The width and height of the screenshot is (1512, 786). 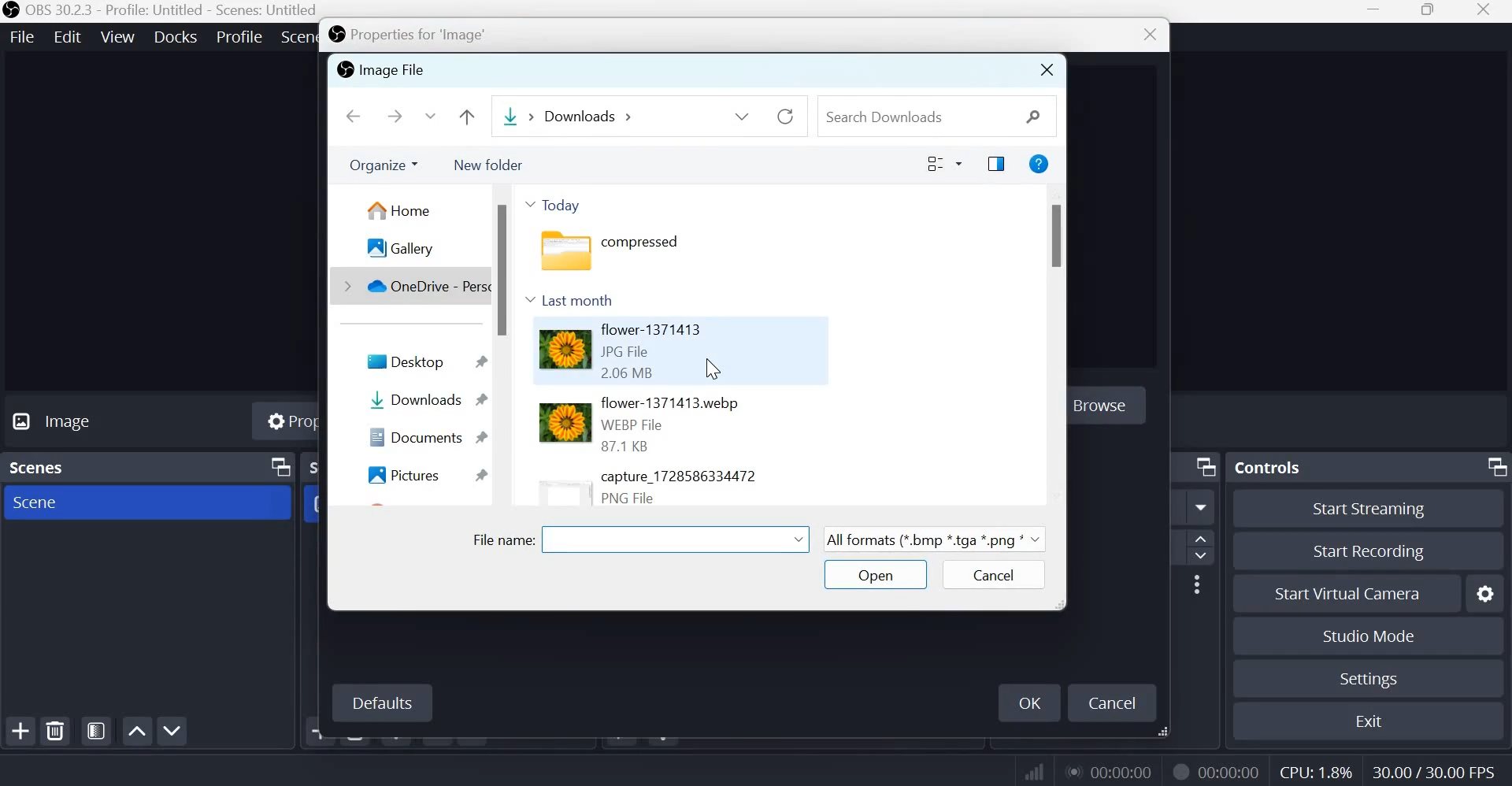 I want to click on Downloads, so click(x=513, y=117).